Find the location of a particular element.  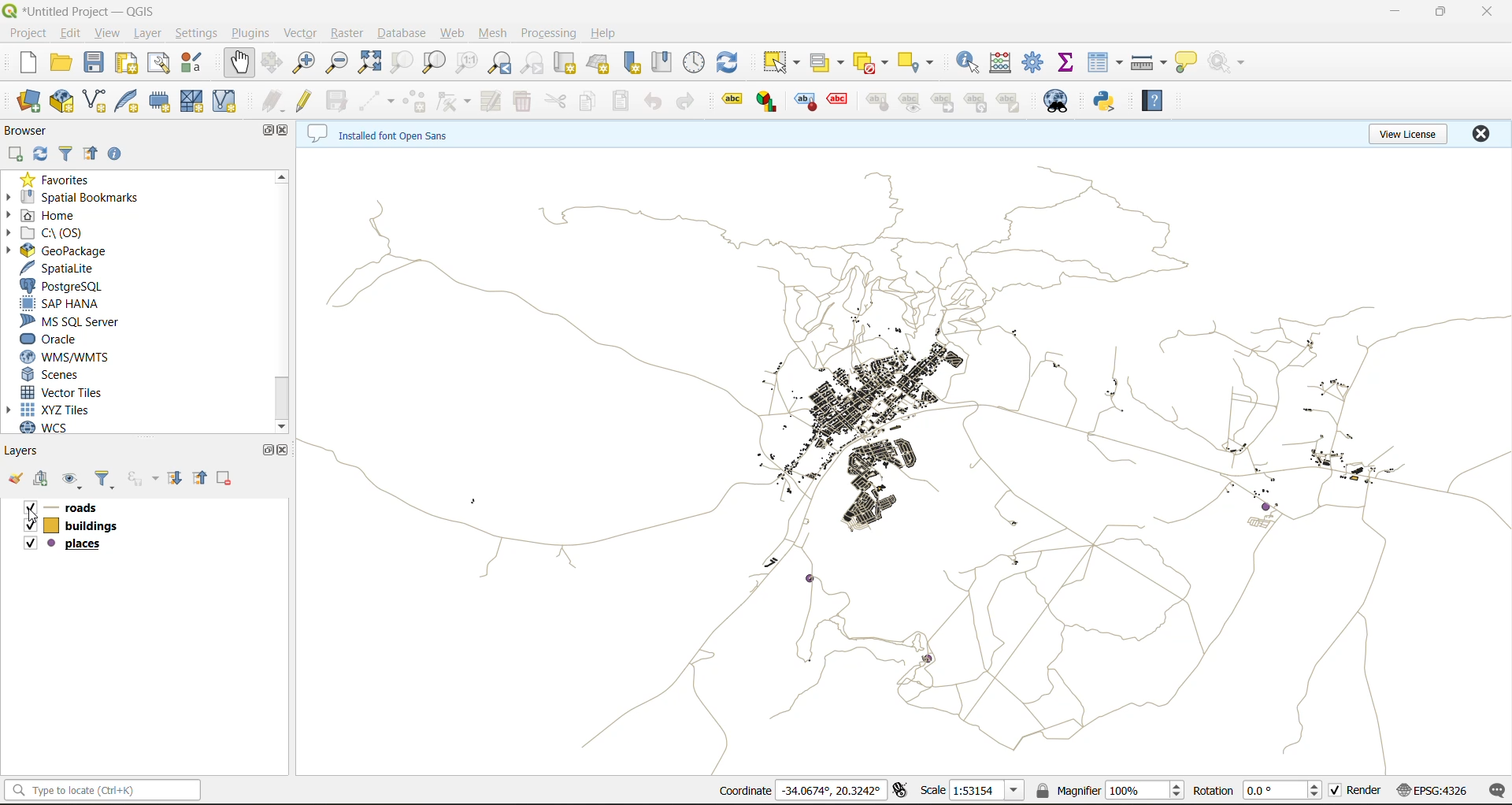

help is located at coordinates (1152, 103).